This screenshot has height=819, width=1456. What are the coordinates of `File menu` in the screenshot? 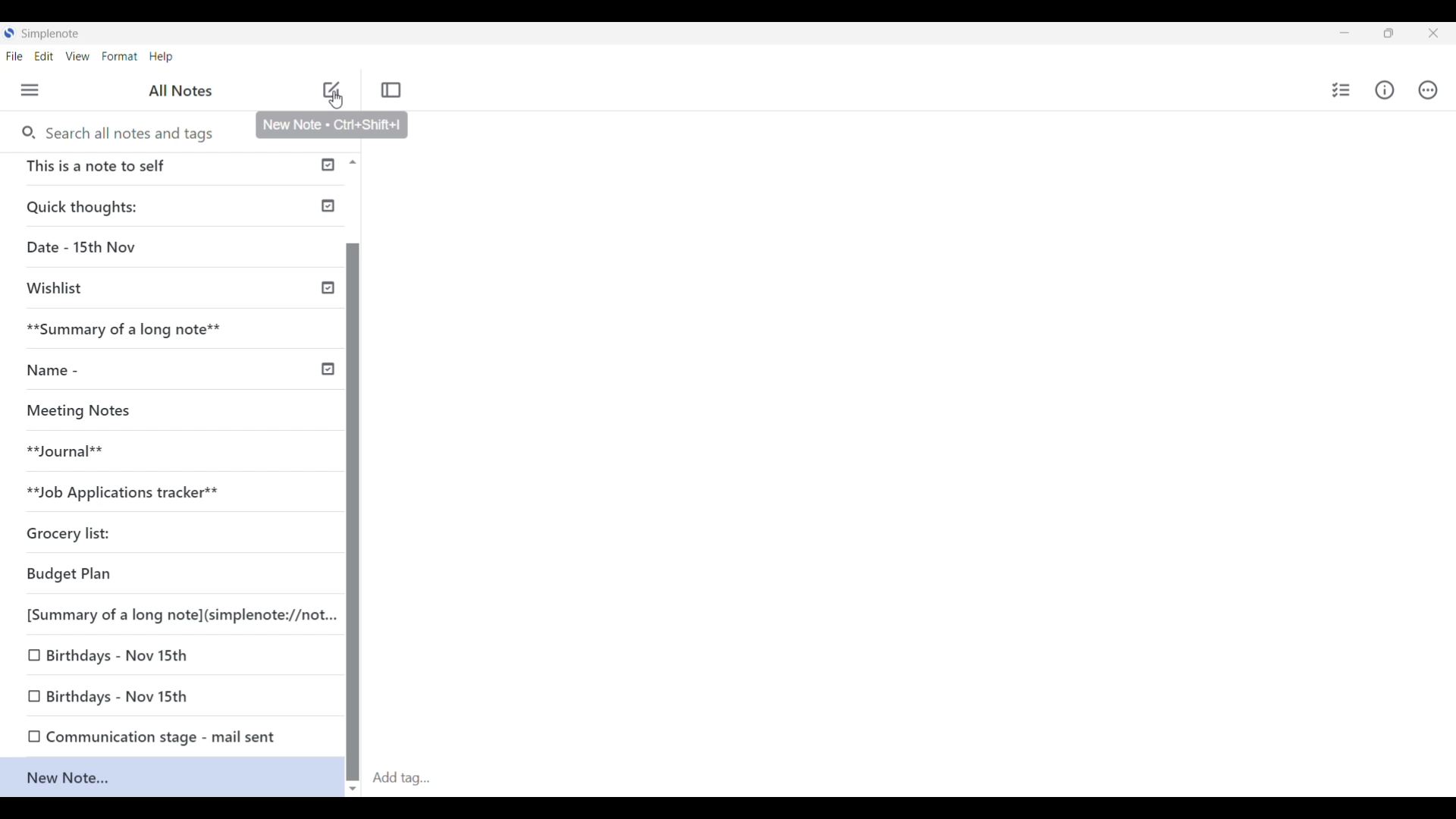 It's located at (14, 56).